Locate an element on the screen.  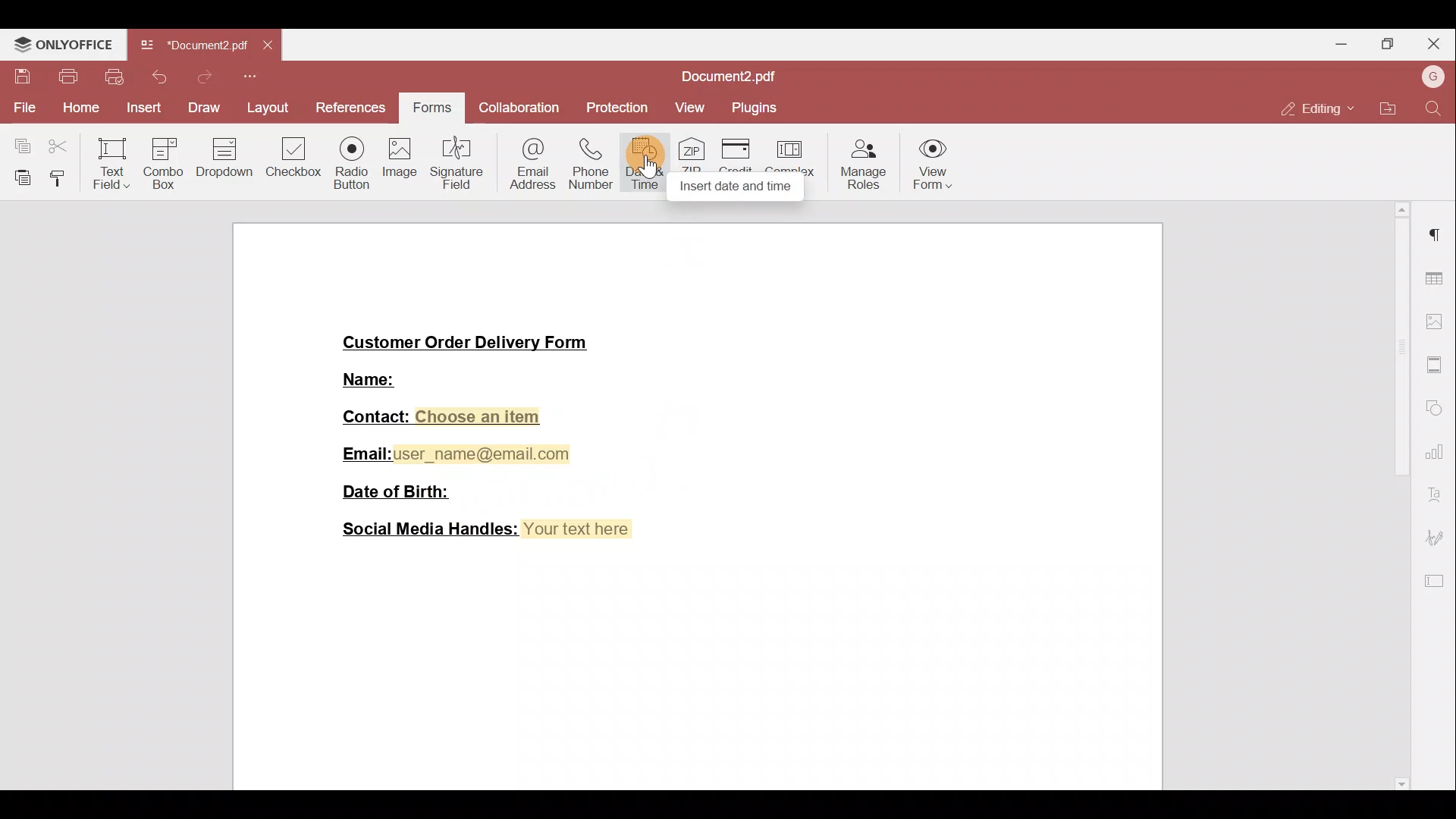
More is located at coordinates (253, 78).